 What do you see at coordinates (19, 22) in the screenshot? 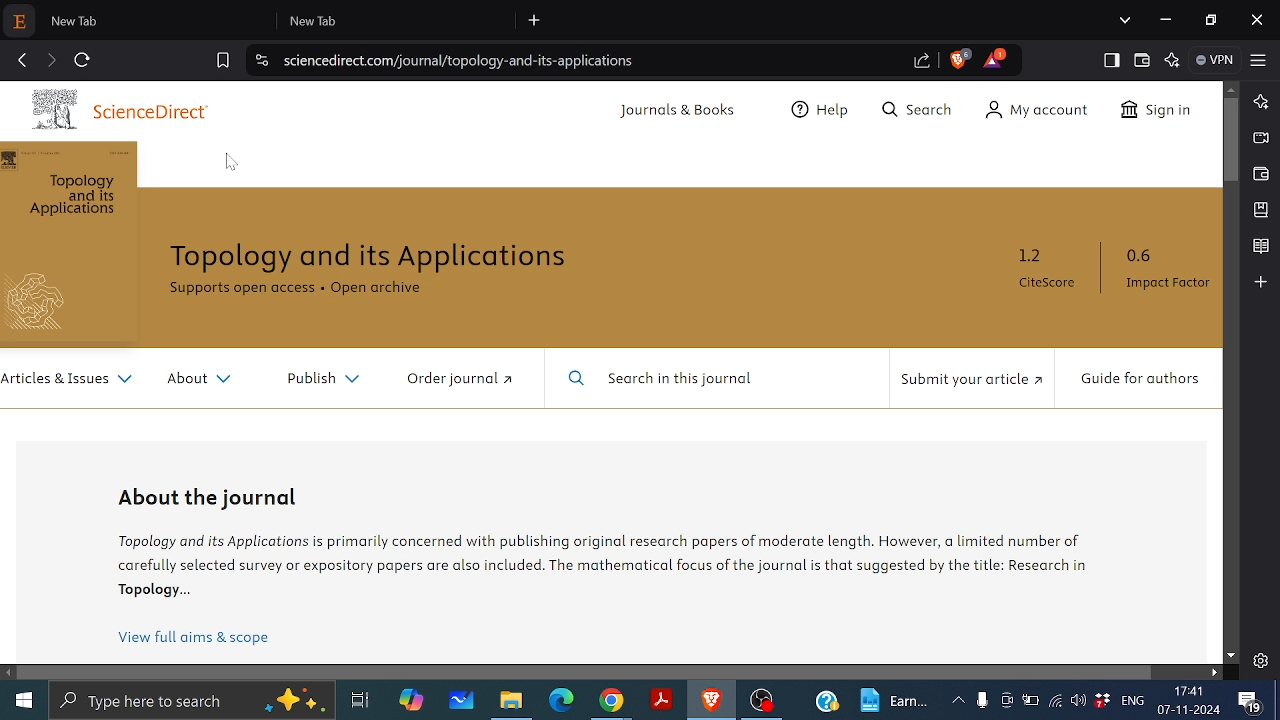
I see `Pinned tab` at bounding box center [19, 22].